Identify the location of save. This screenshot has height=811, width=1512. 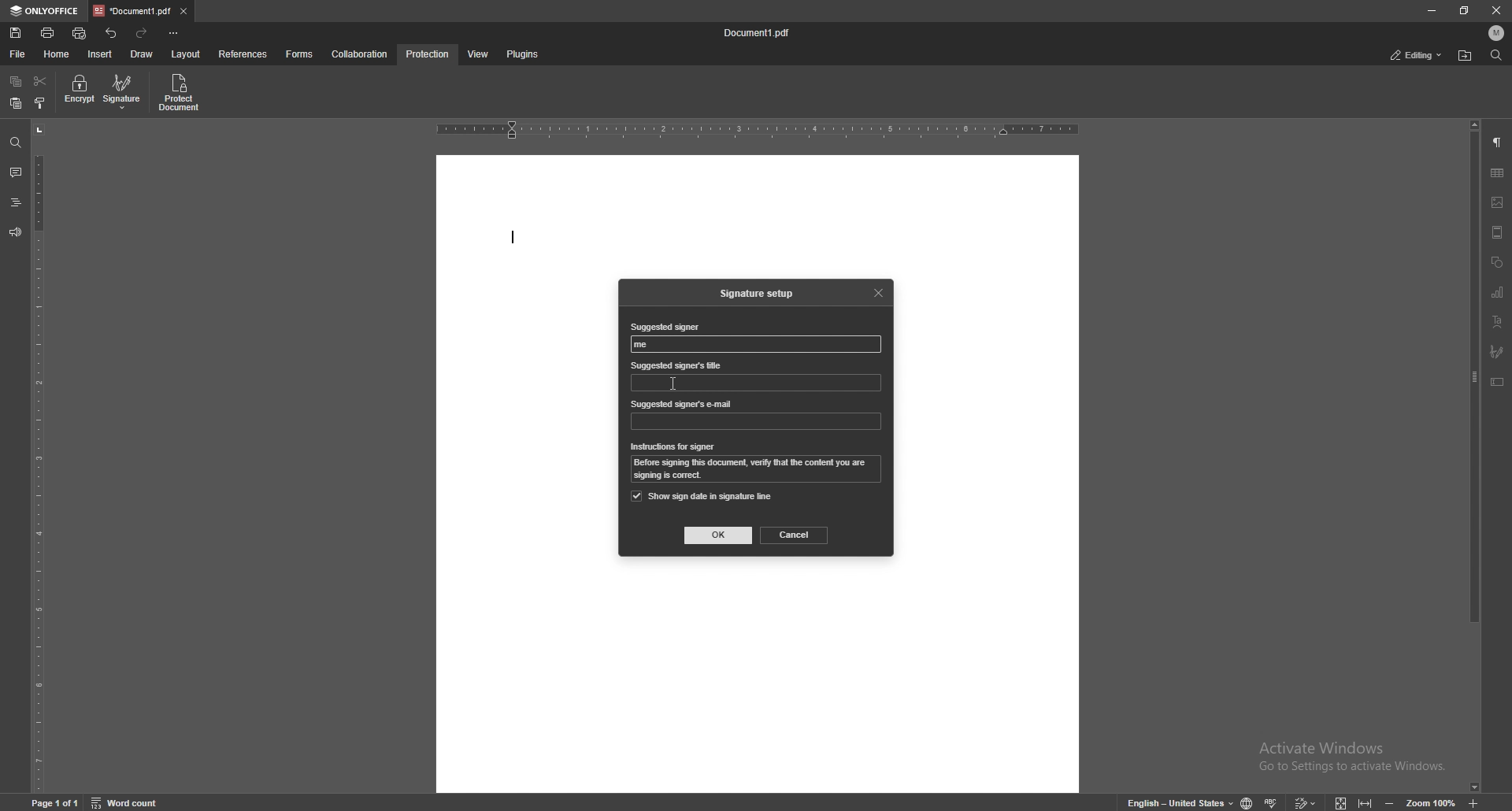
(17, 33).